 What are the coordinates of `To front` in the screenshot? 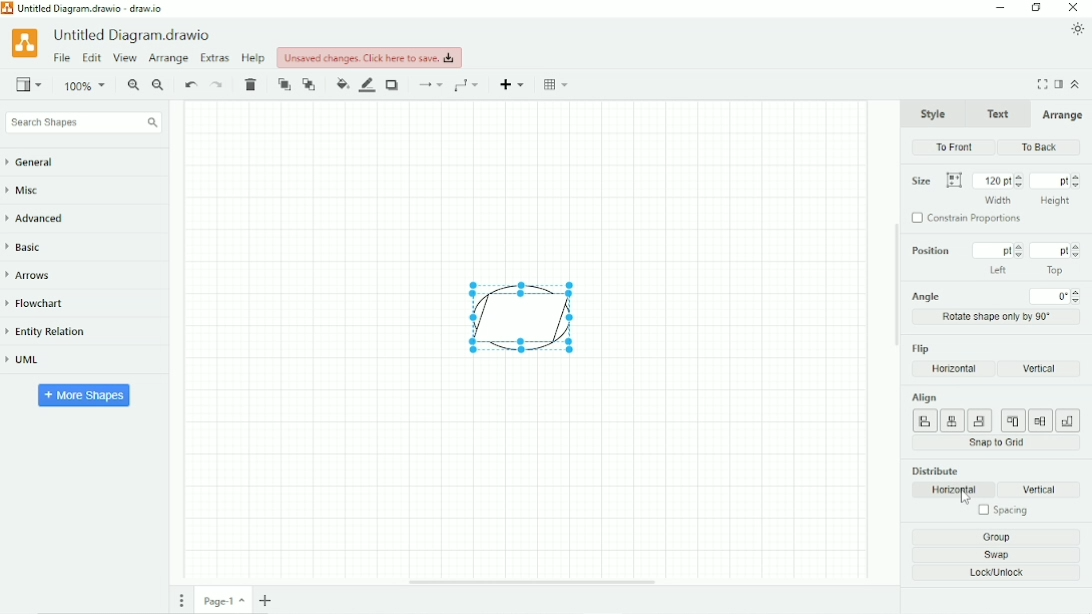 It's located at (284, 85).